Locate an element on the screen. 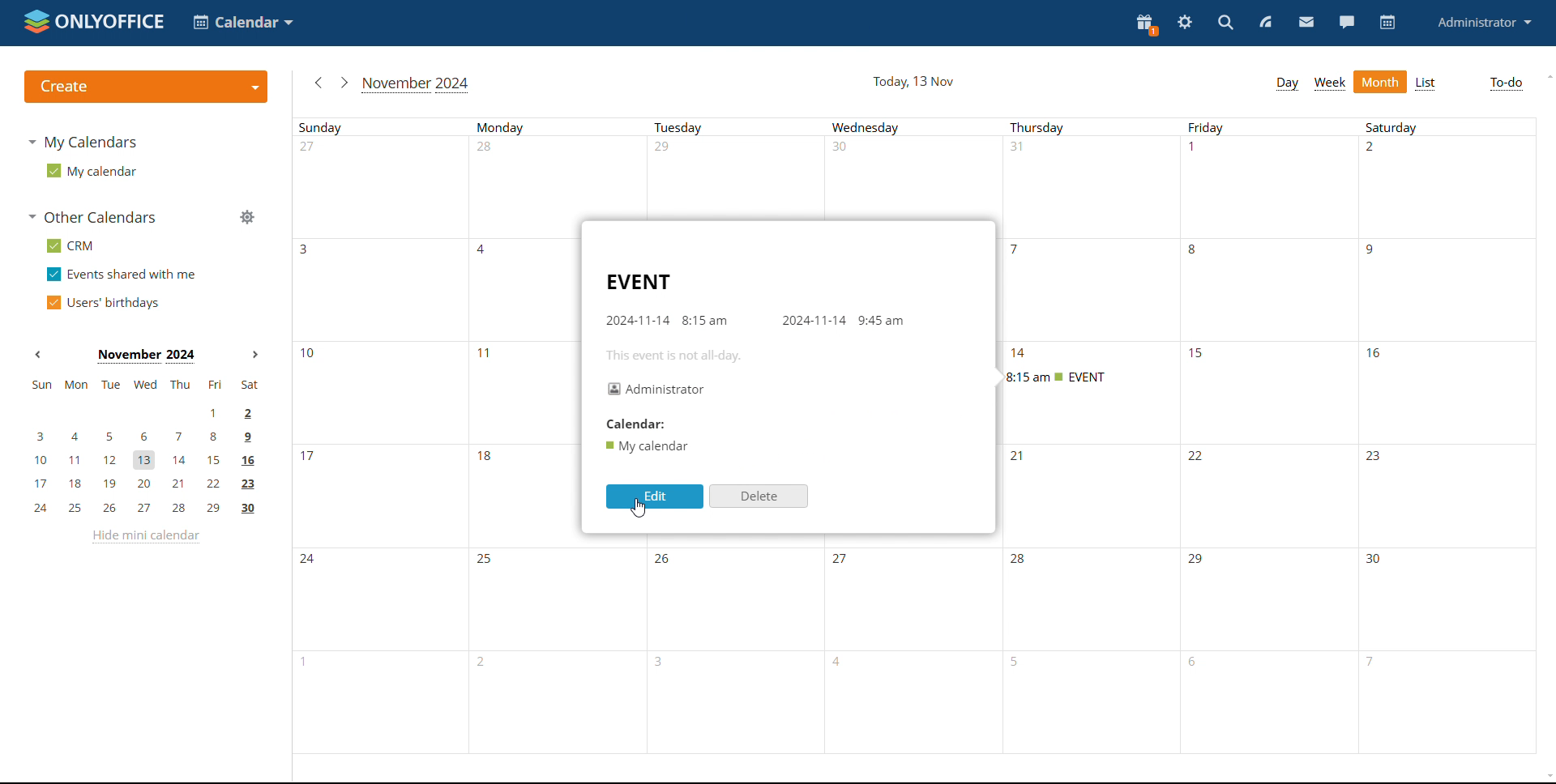 This screenshot has width=1556, height=784. unallocated time slots is located at coordinates (1270, 280).